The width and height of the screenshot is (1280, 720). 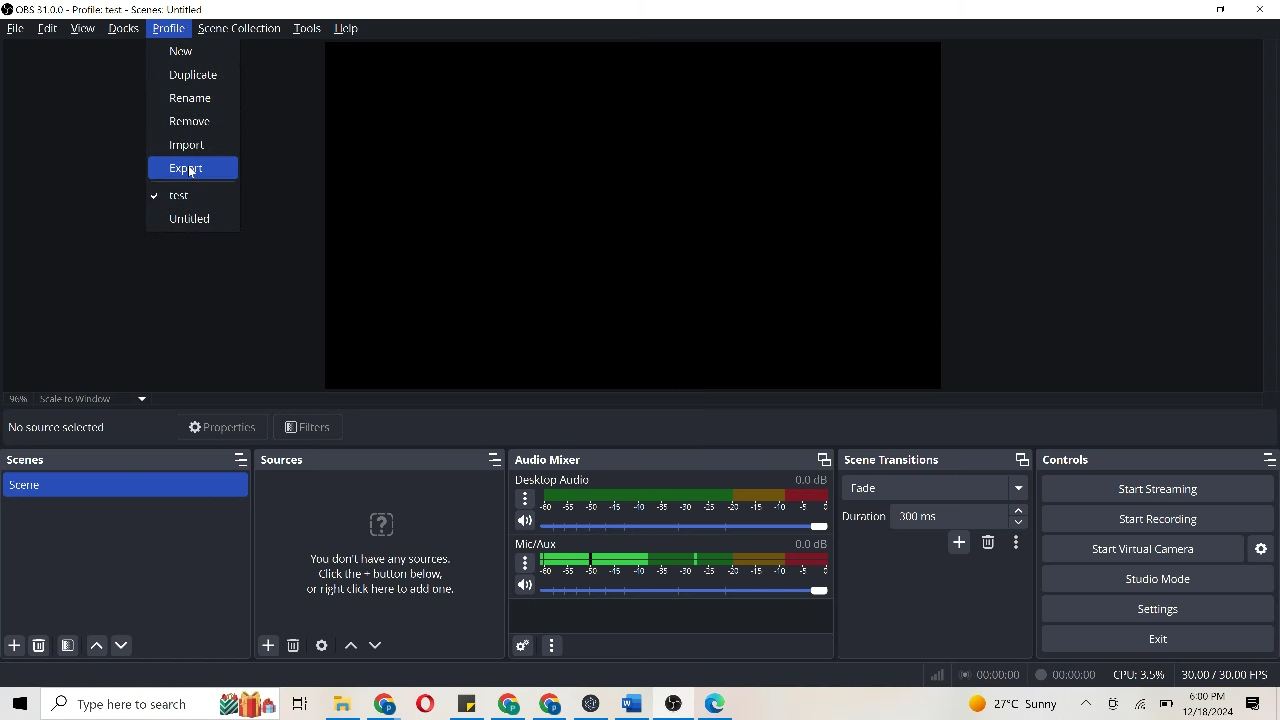 I want to click on icon, so click(x=717, y=701).